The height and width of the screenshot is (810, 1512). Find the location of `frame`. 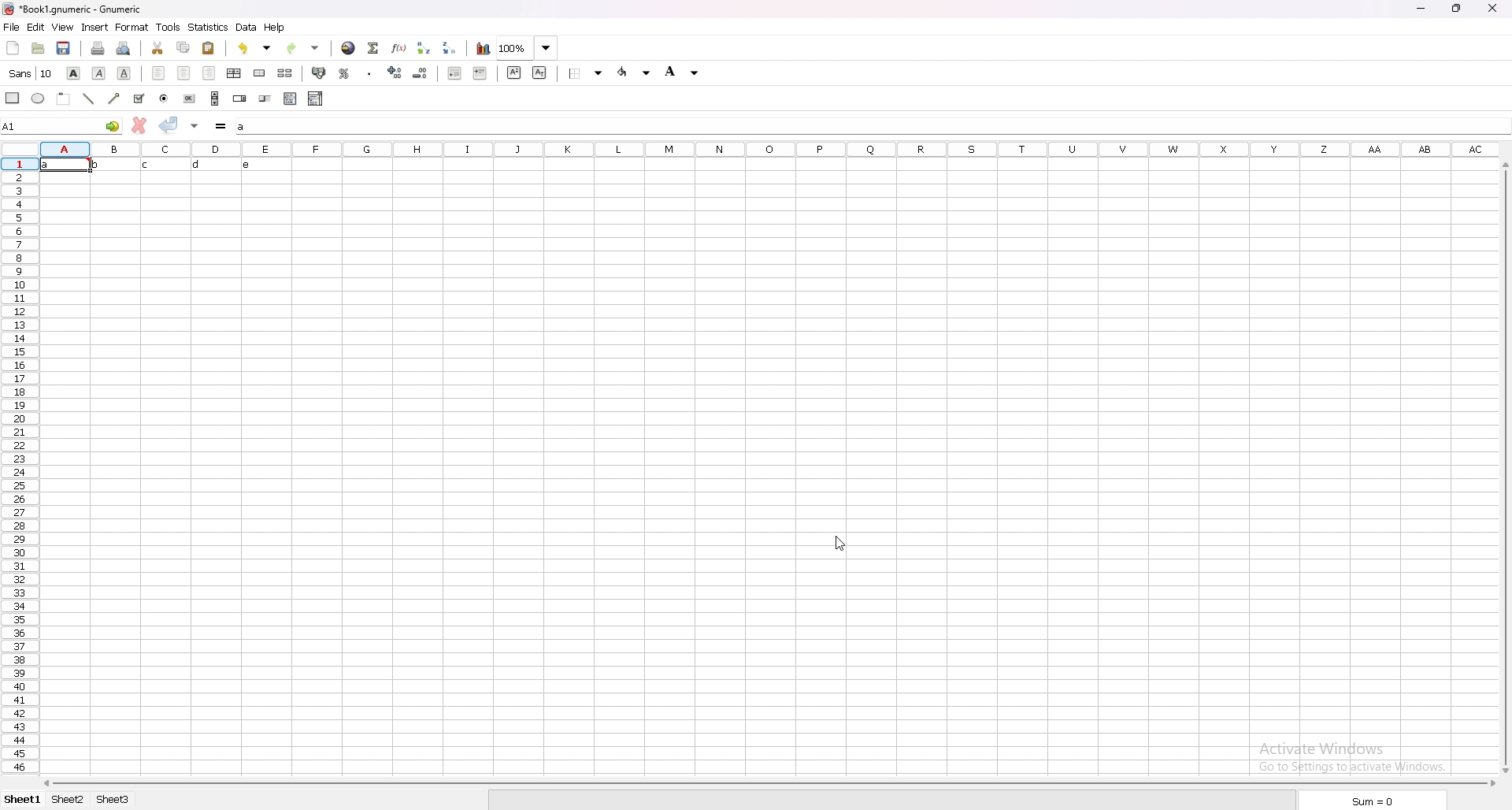

frame is located at coordinates (65, 98).